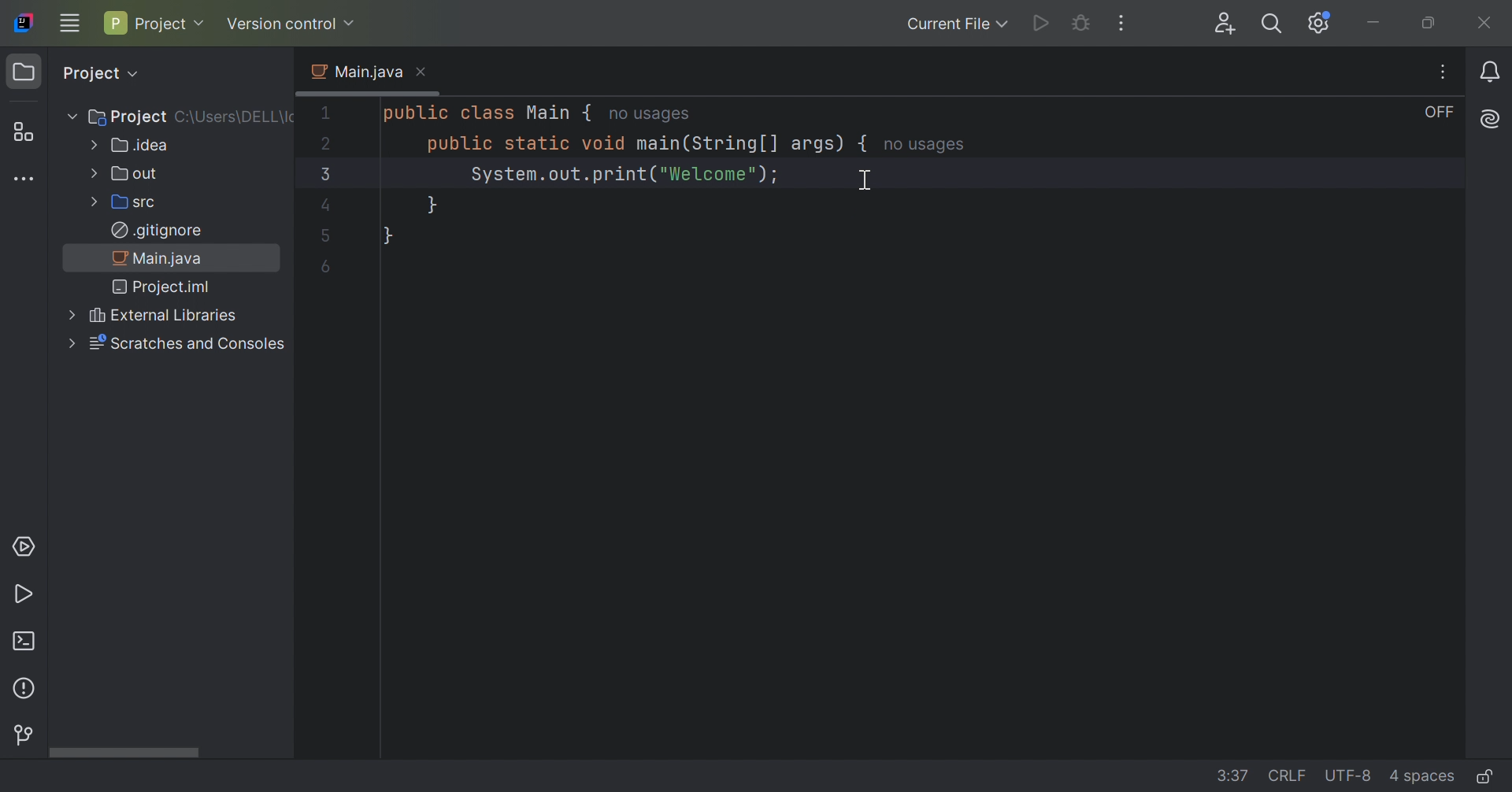  I want to click on 1, so click(326, 113).